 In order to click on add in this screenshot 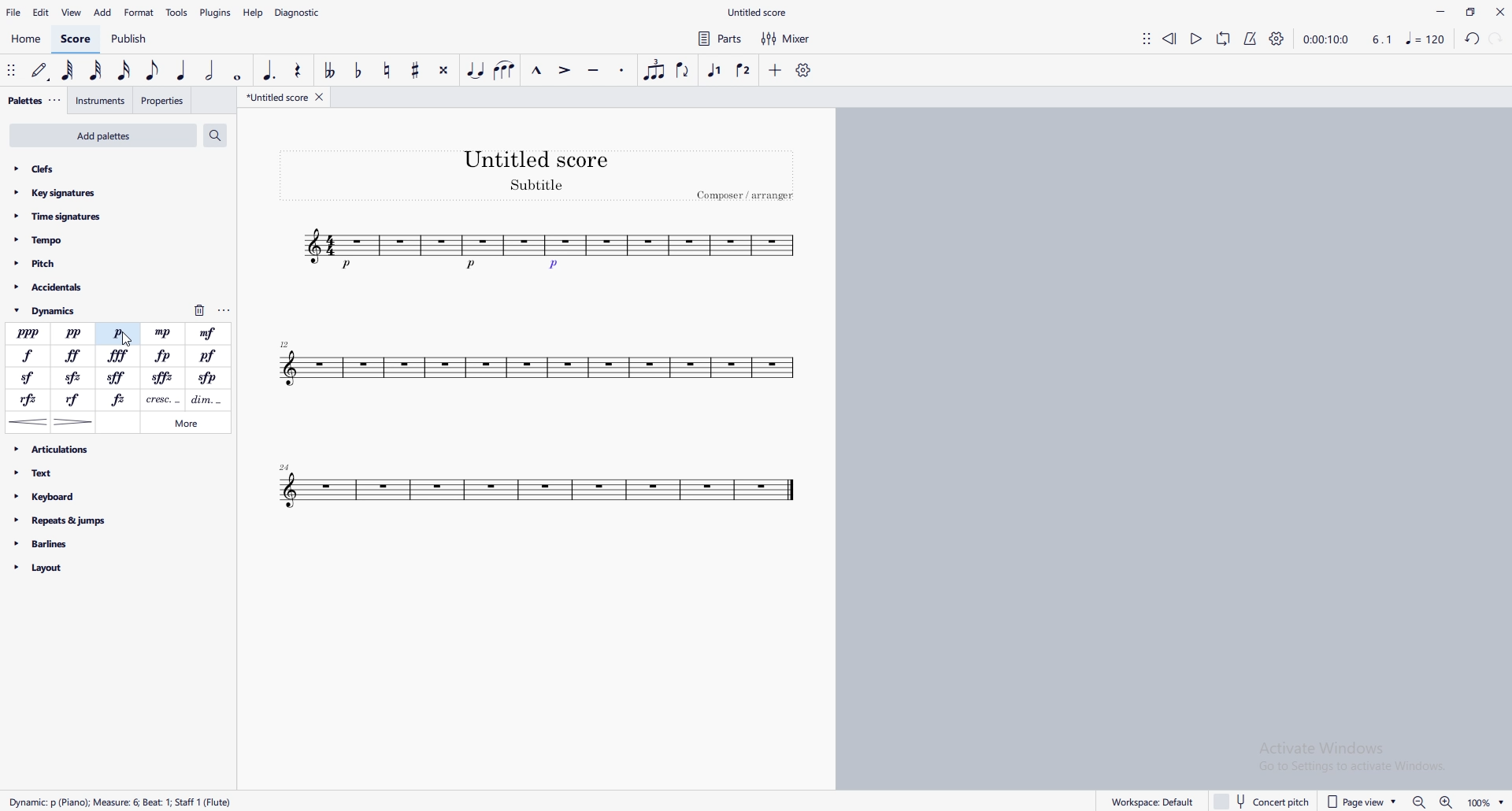, I will do `click(775, 71)`.